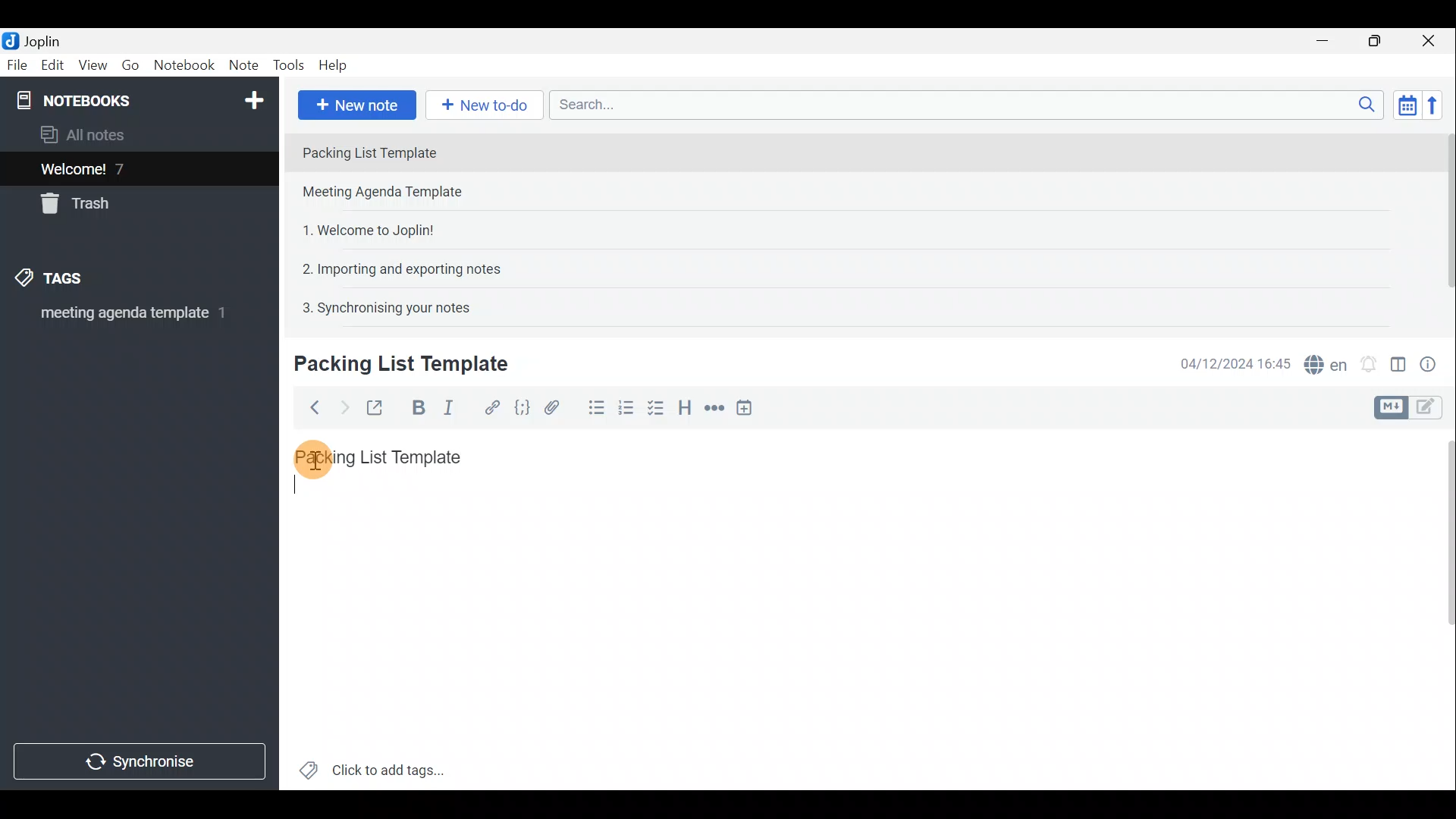  I want to click on Toggle external editing, so click(376, 406).